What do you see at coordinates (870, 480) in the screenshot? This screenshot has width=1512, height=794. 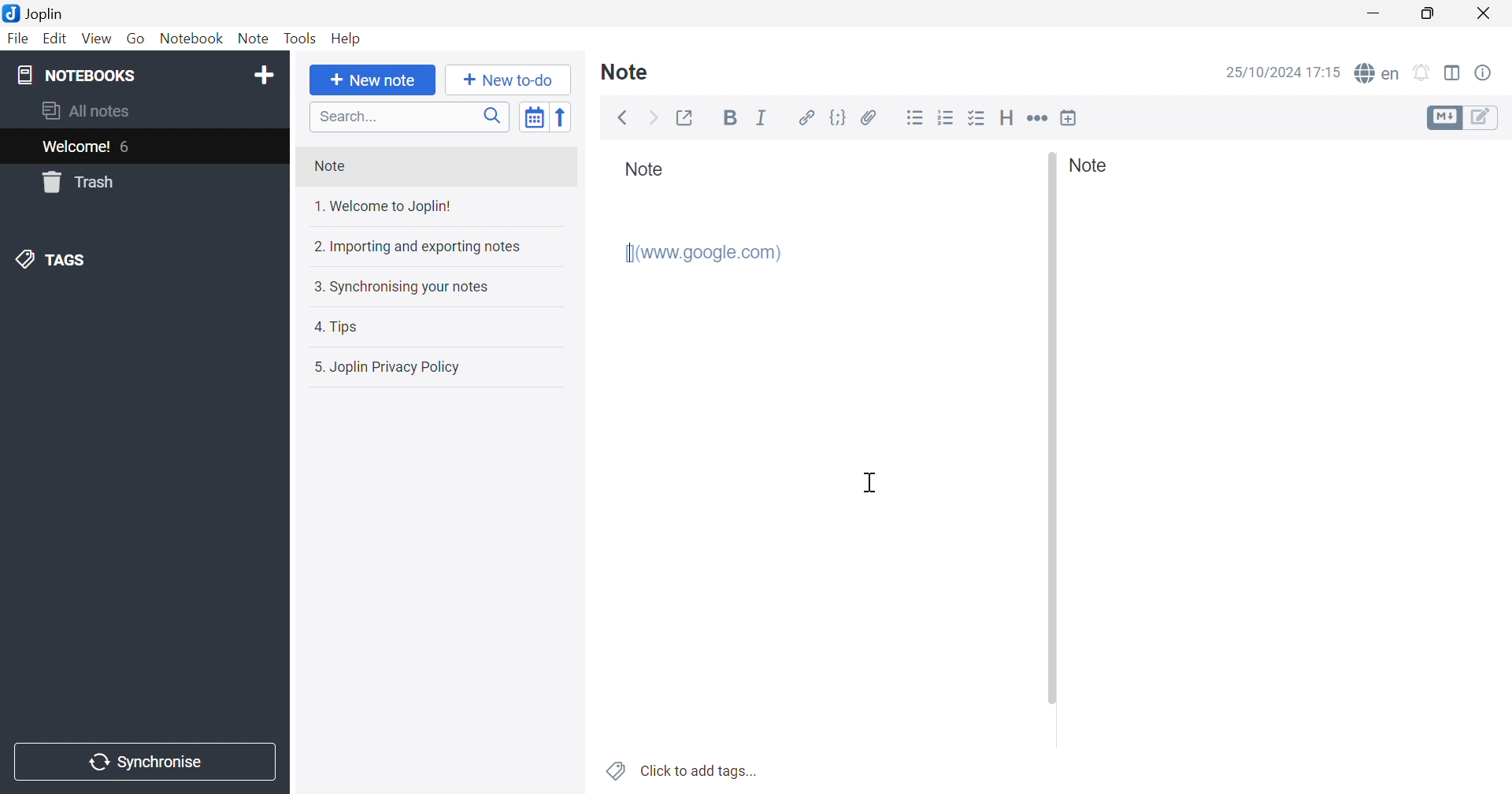 I see `Cursor` at bounding box center [870, 480].